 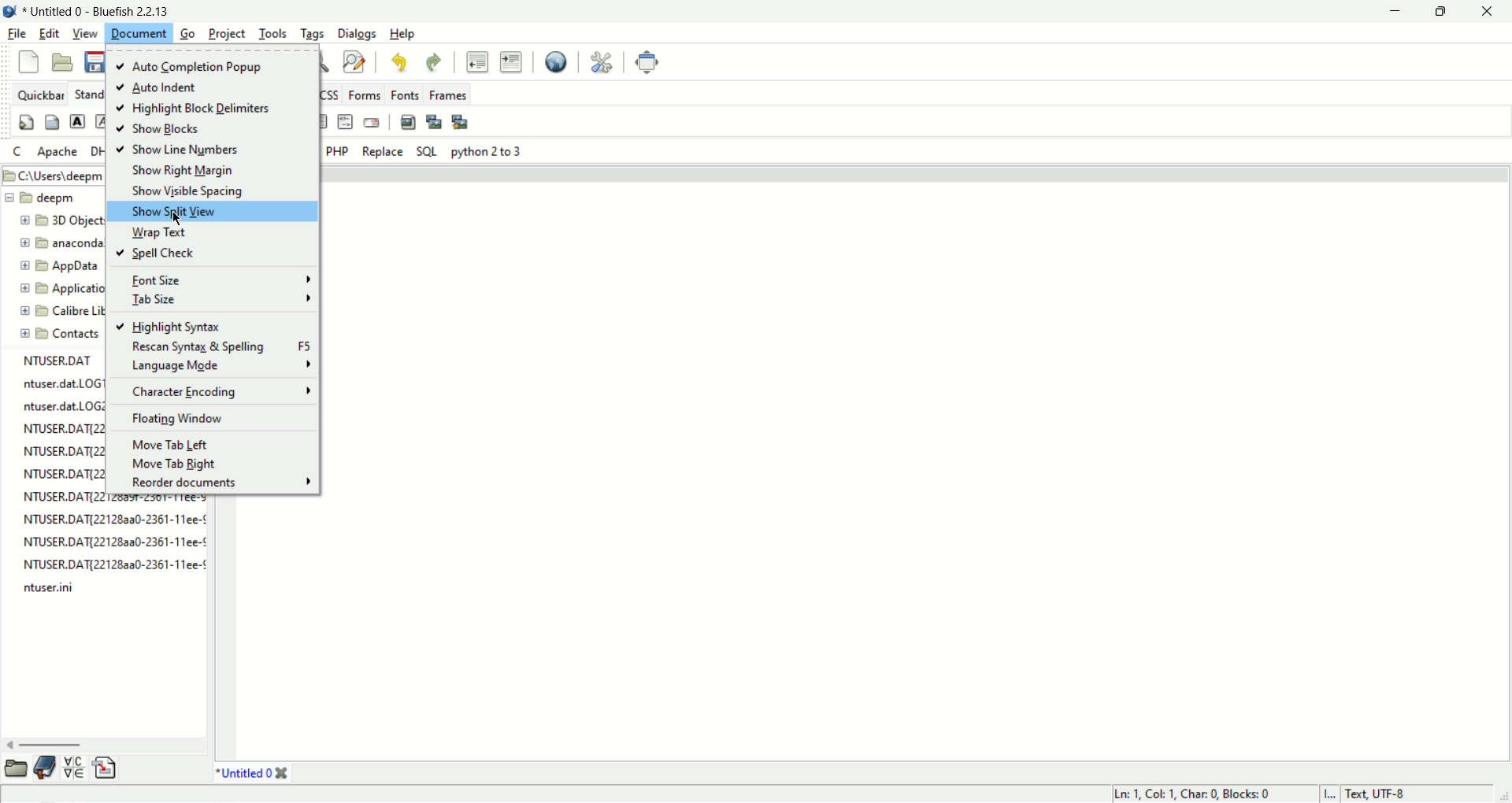 What do you see at coordinates (9, 10) in the screenshot?
I see `application image` at bounding box center [9, 10].